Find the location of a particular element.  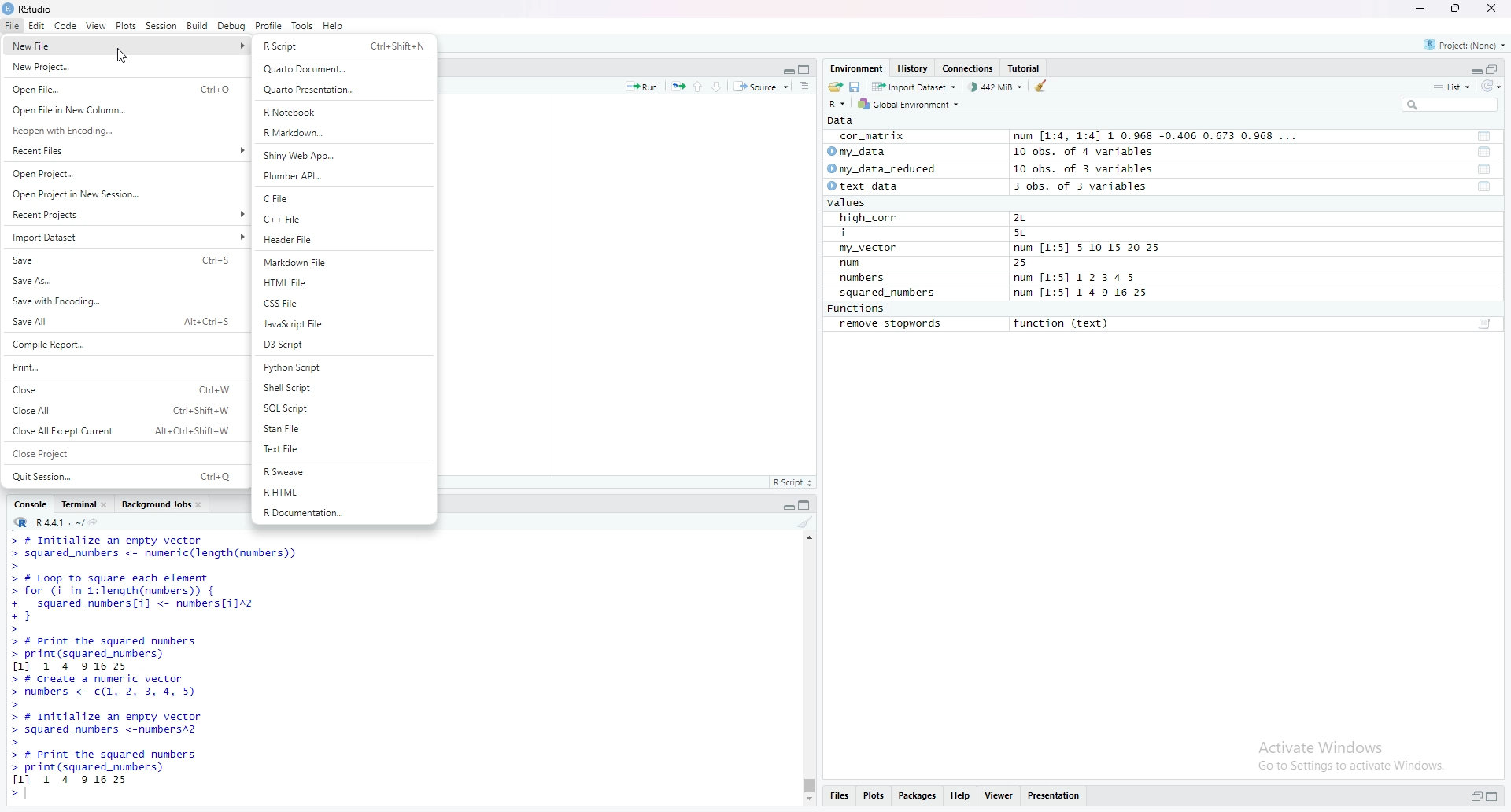

New File is located at coordinates (106, 46).